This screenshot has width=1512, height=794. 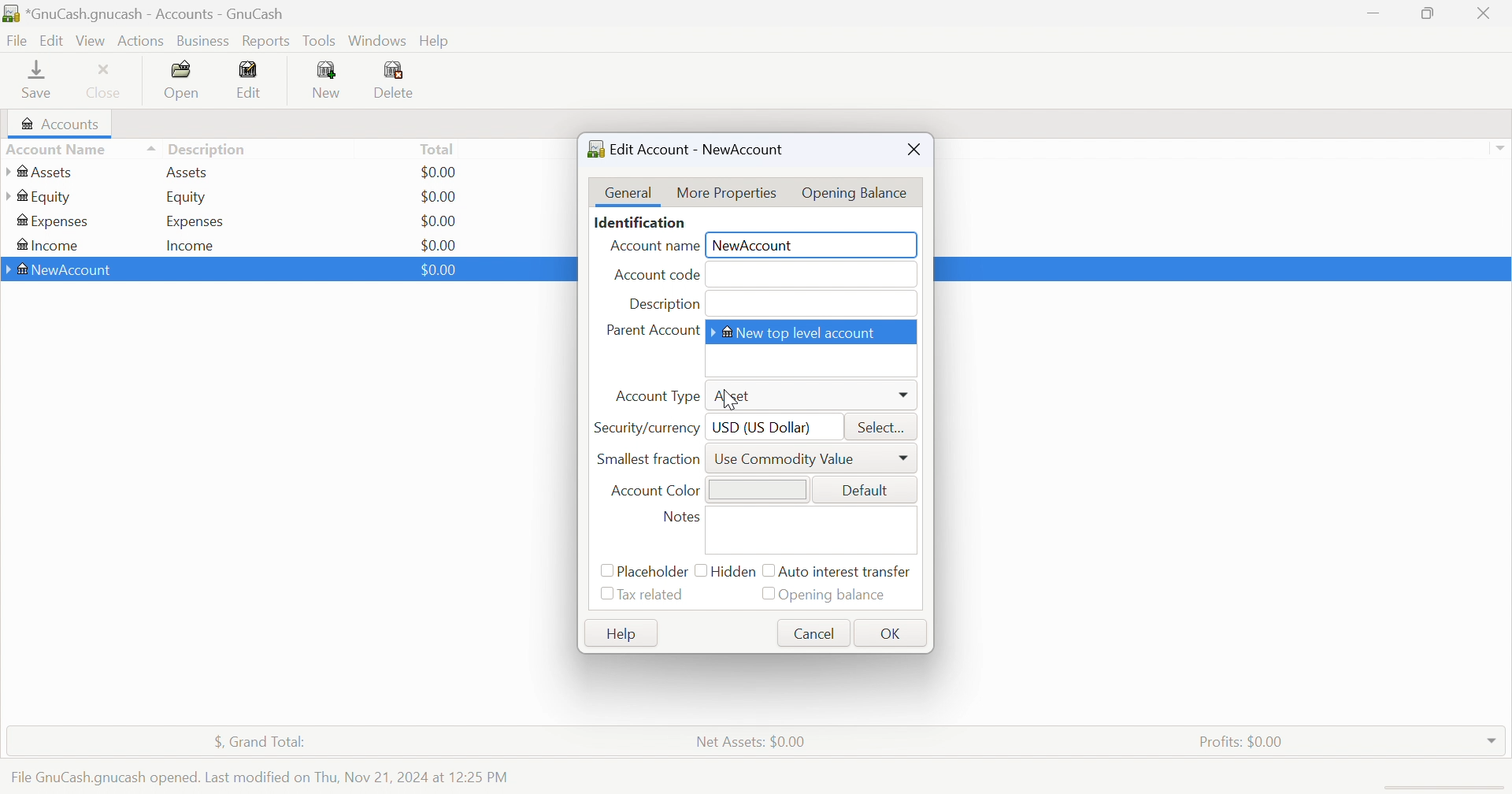 What do you see at coordinates (46, 247) in the screenshot?
I see `Income` at bounding box center [46, 247].